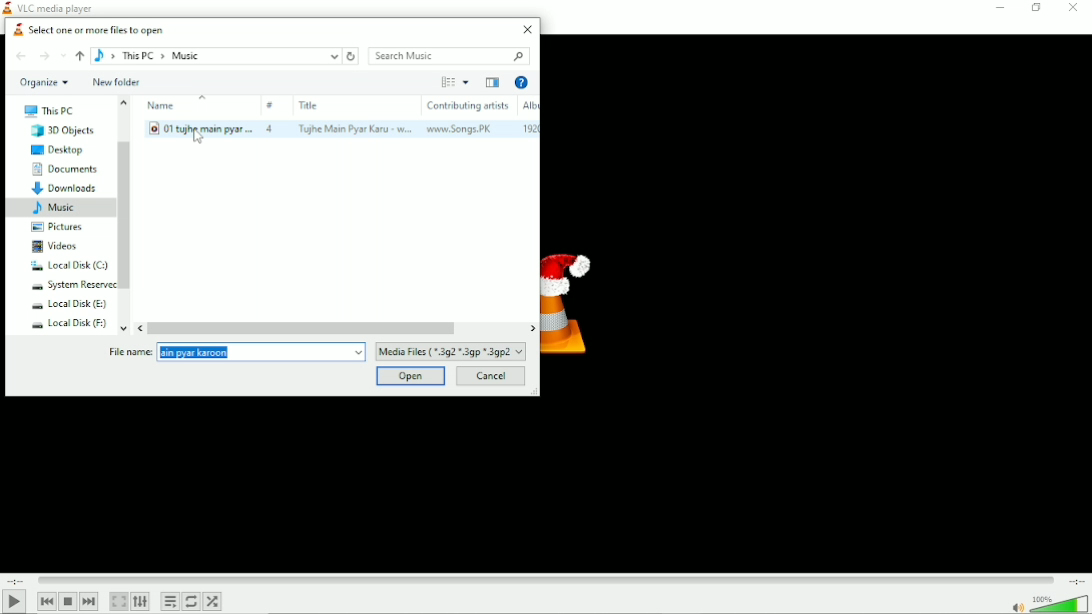 This screenshot has width=1092, height=614. Describe the element at coordinates (49, 7) in the screenshot. I see `VLC media player` at that location.